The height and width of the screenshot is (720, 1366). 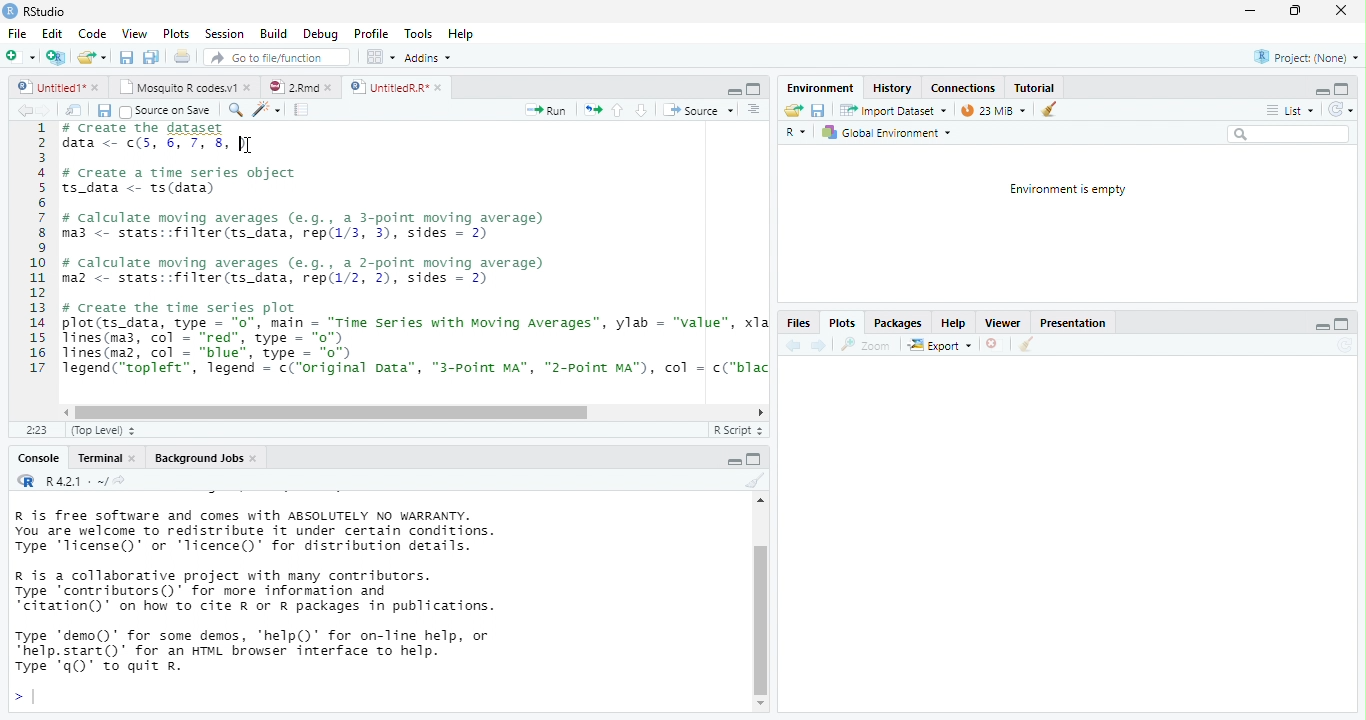 What do you see at coordinates (755, 110) in the screenshot?
I see `Document outline` at bounding box center [755, 110].